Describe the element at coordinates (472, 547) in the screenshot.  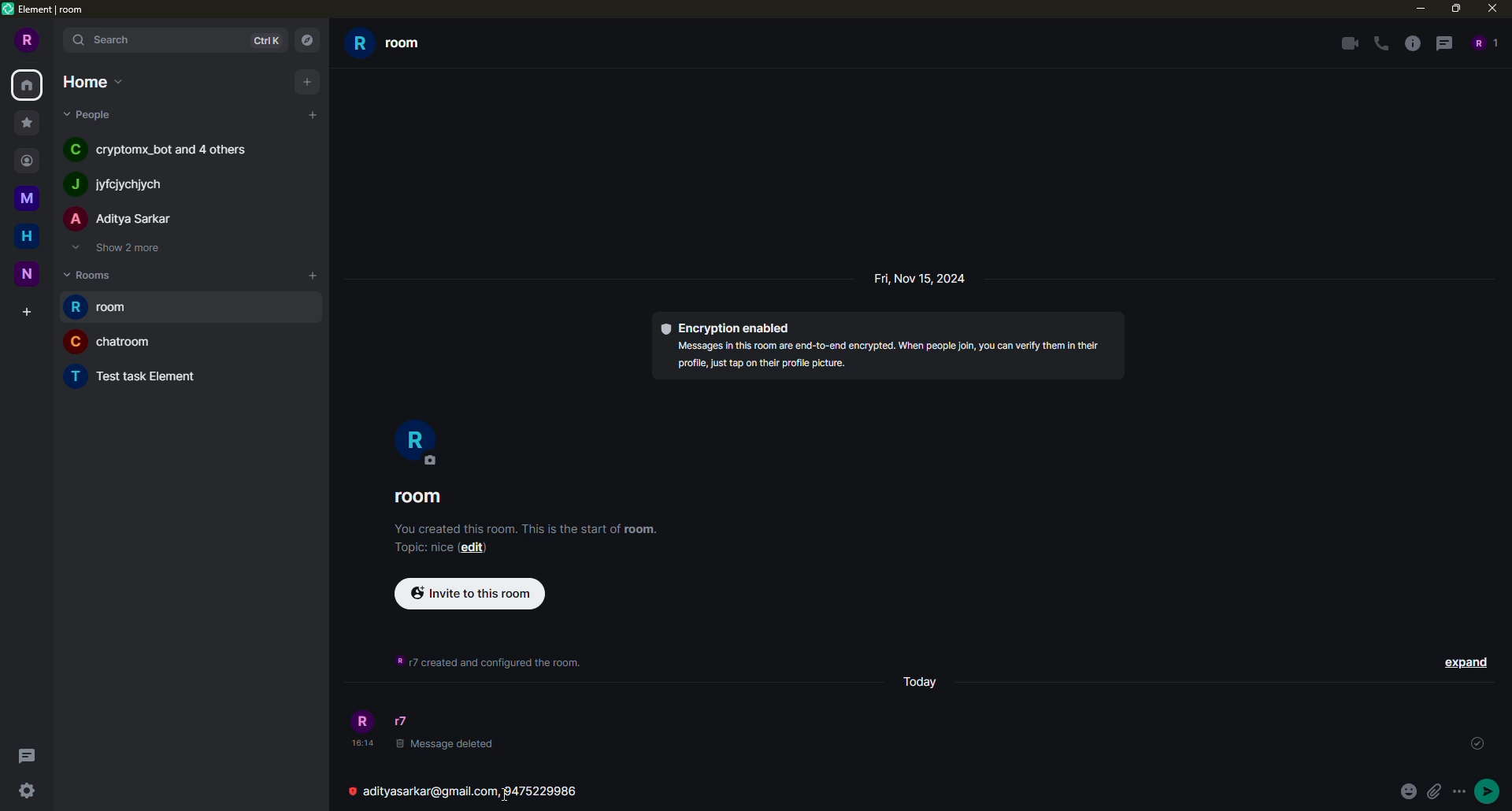
I see `edit` at that location.